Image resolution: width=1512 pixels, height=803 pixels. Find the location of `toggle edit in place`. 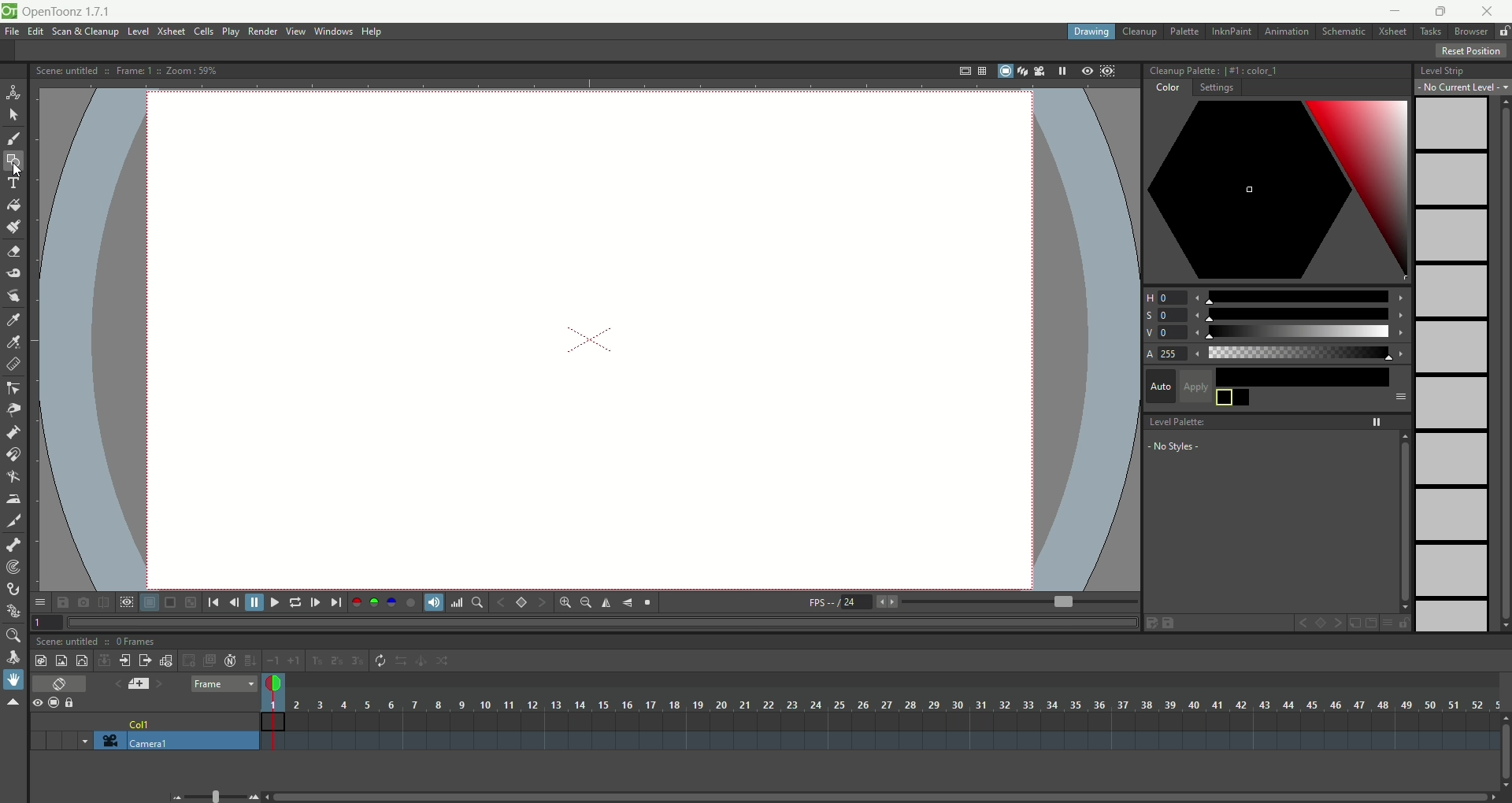

toggle edit in place is located at coordinates (168, 661).